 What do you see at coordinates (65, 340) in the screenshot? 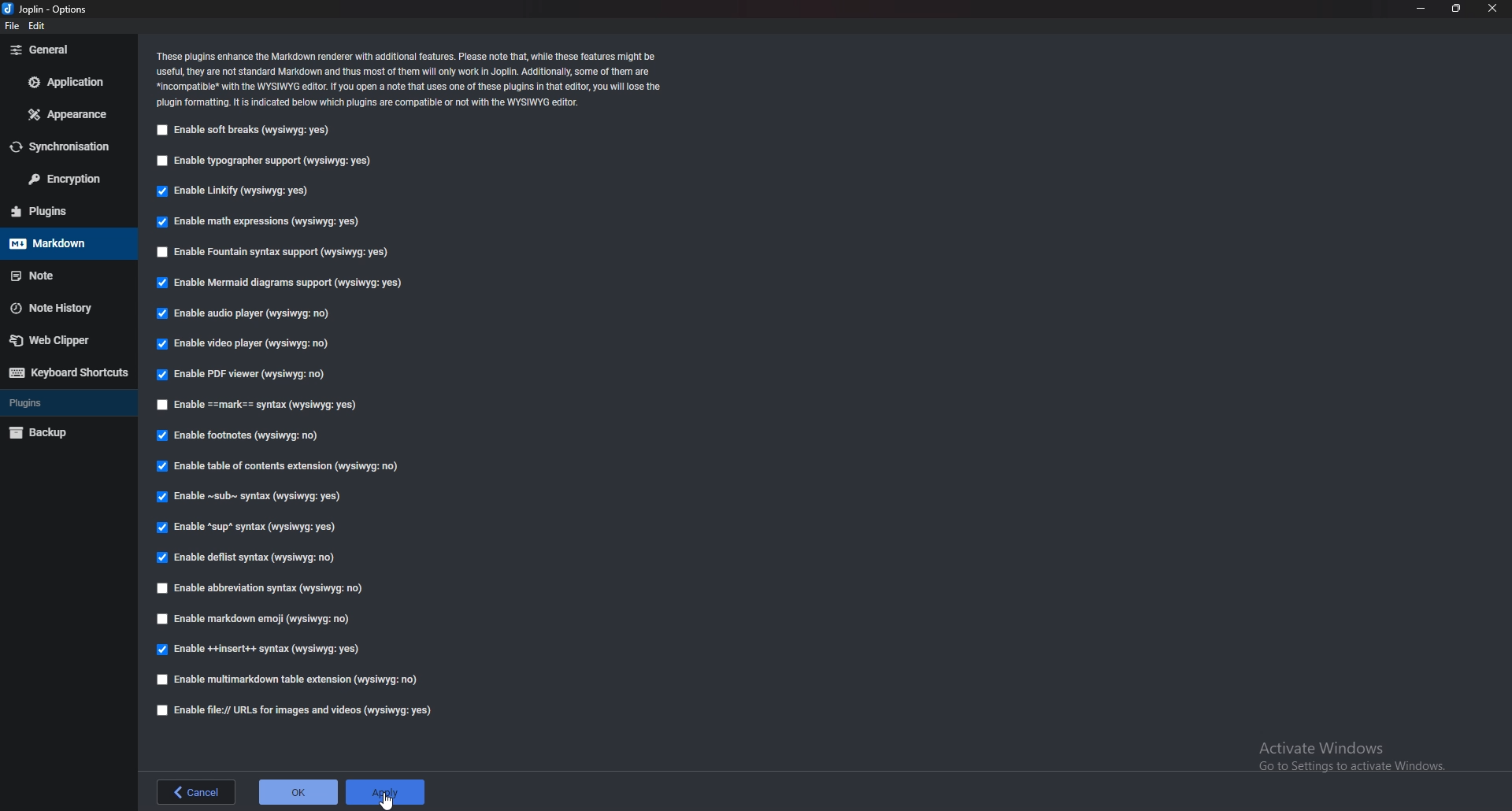
I see `Web Clipper` at bounding box center [65, 340].